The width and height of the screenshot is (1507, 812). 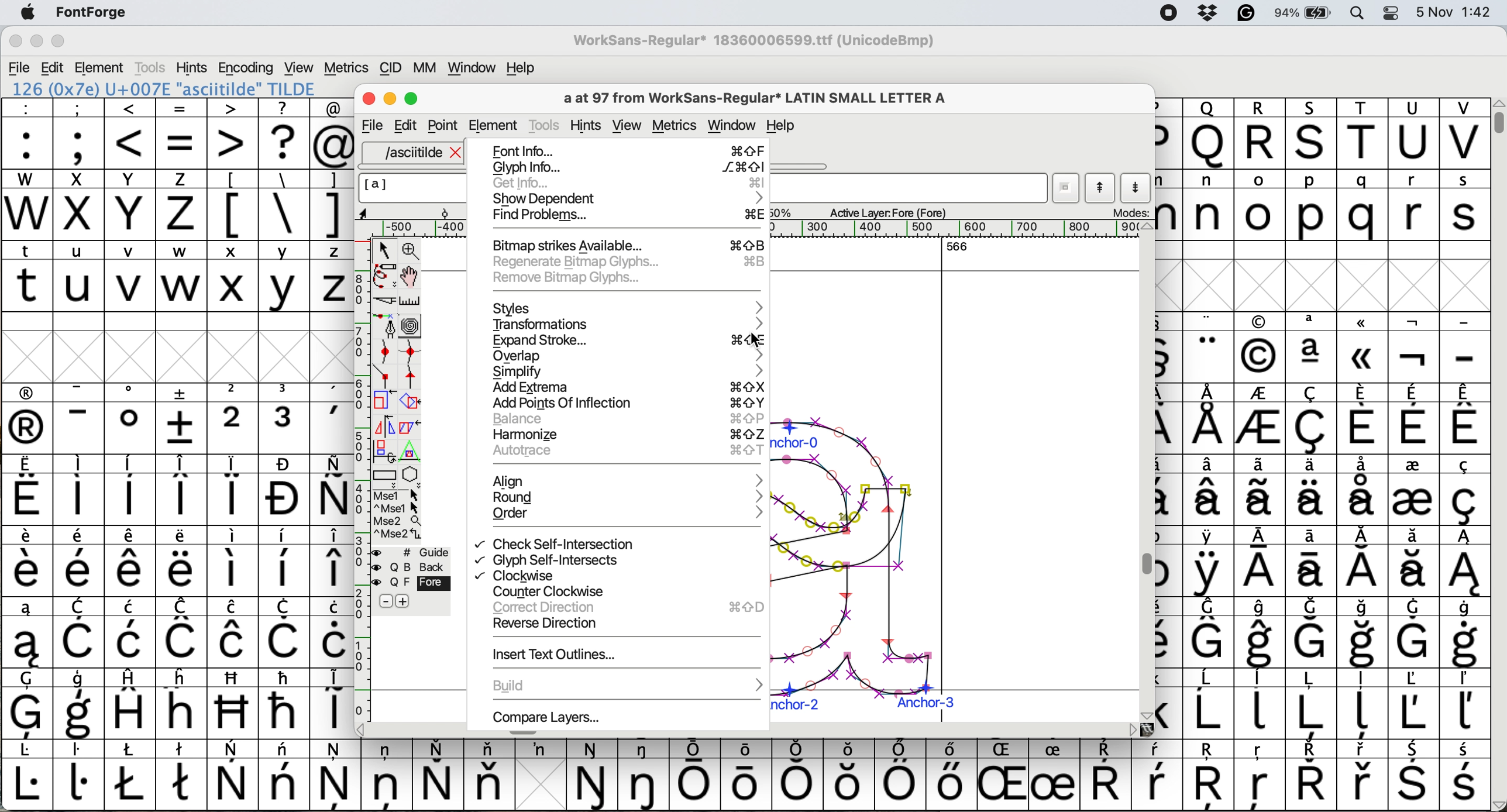 What do you see at coordinates (411, 474) in the screenshot?
I see `star or polygon` at bounding box center [411, 474].